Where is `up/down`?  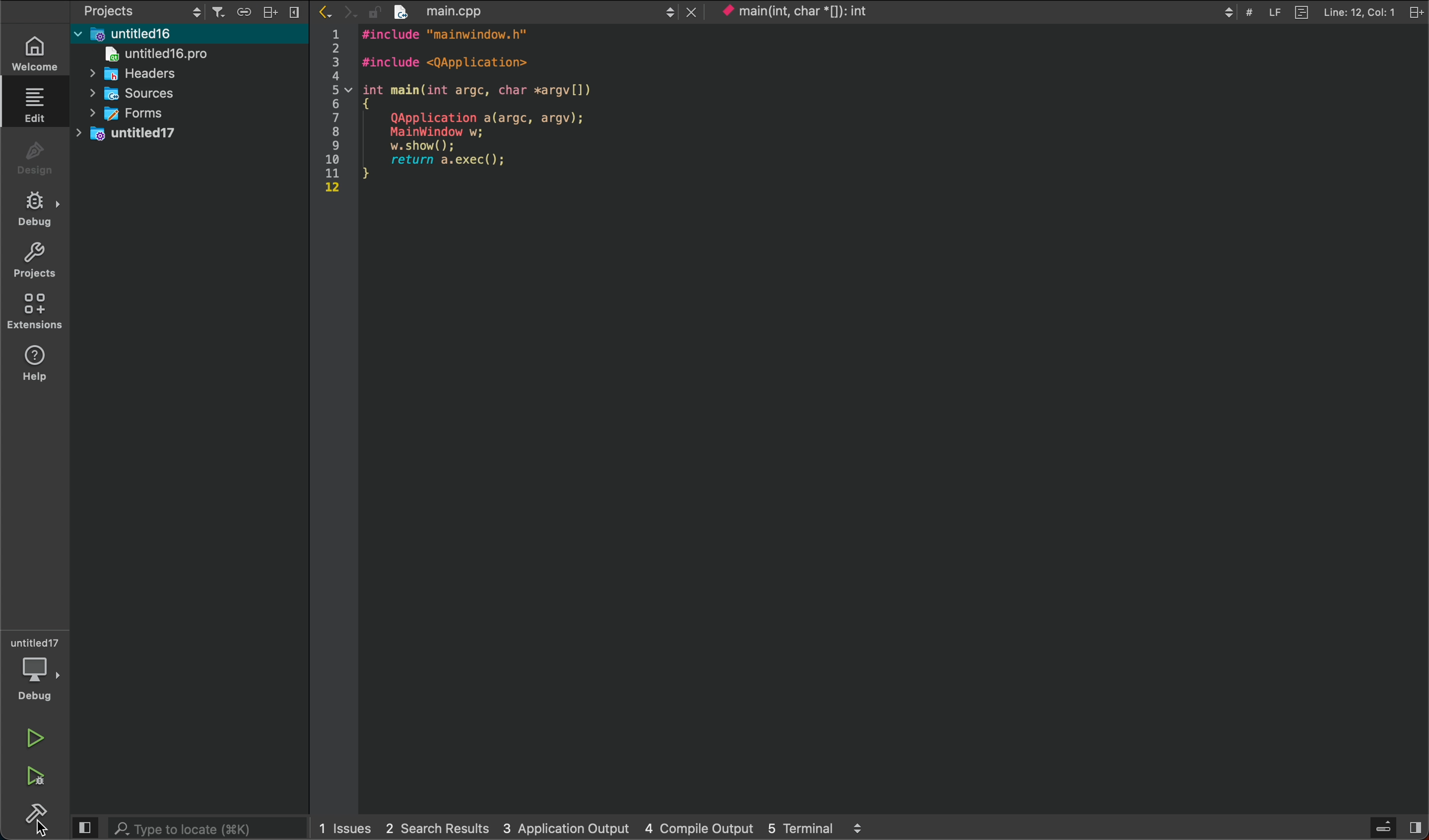 up/down is located at coordinates (667, 12).